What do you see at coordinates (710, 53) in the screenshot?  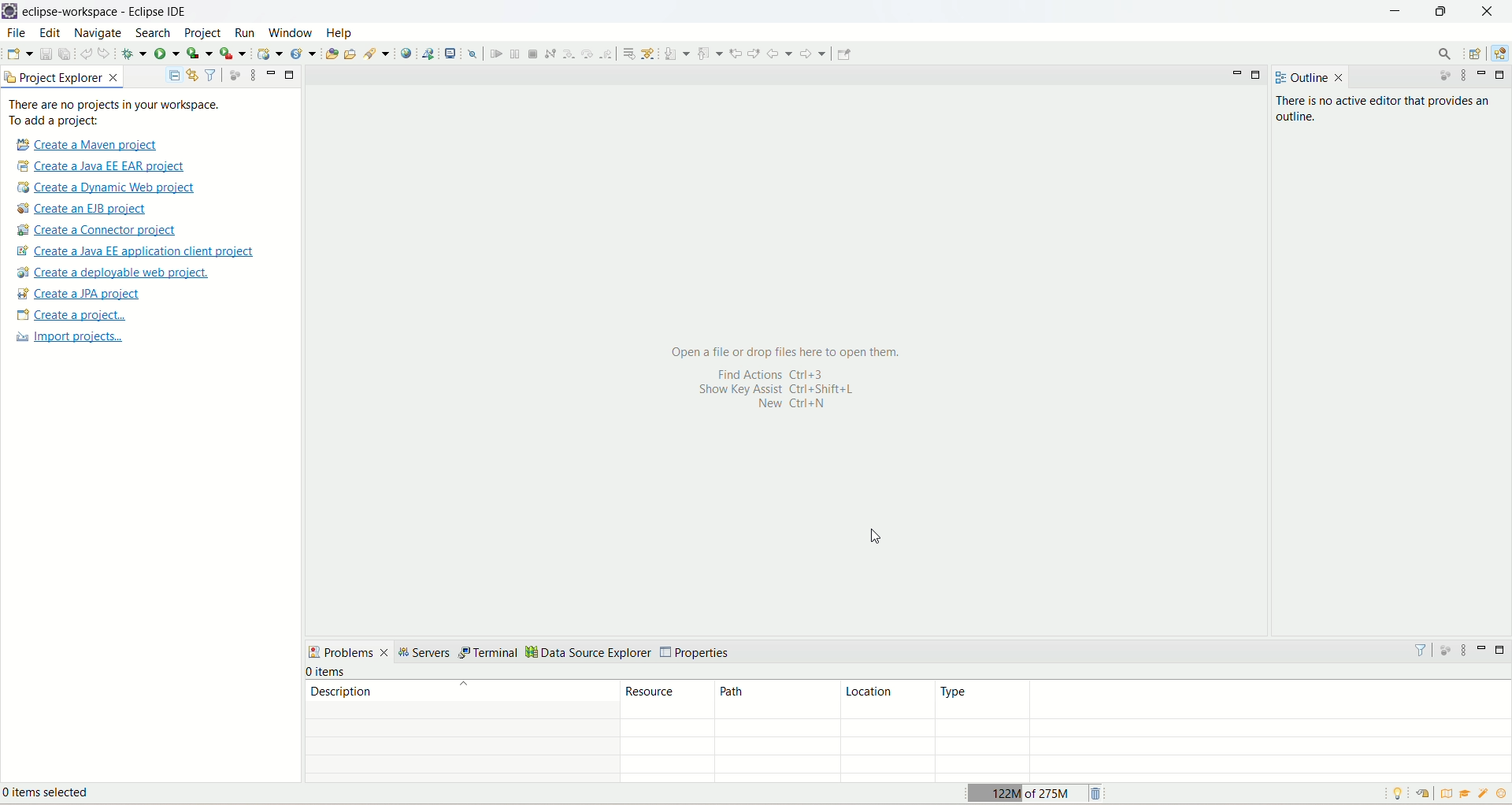 I see `previous annotation` at bounding box center [710, 53].